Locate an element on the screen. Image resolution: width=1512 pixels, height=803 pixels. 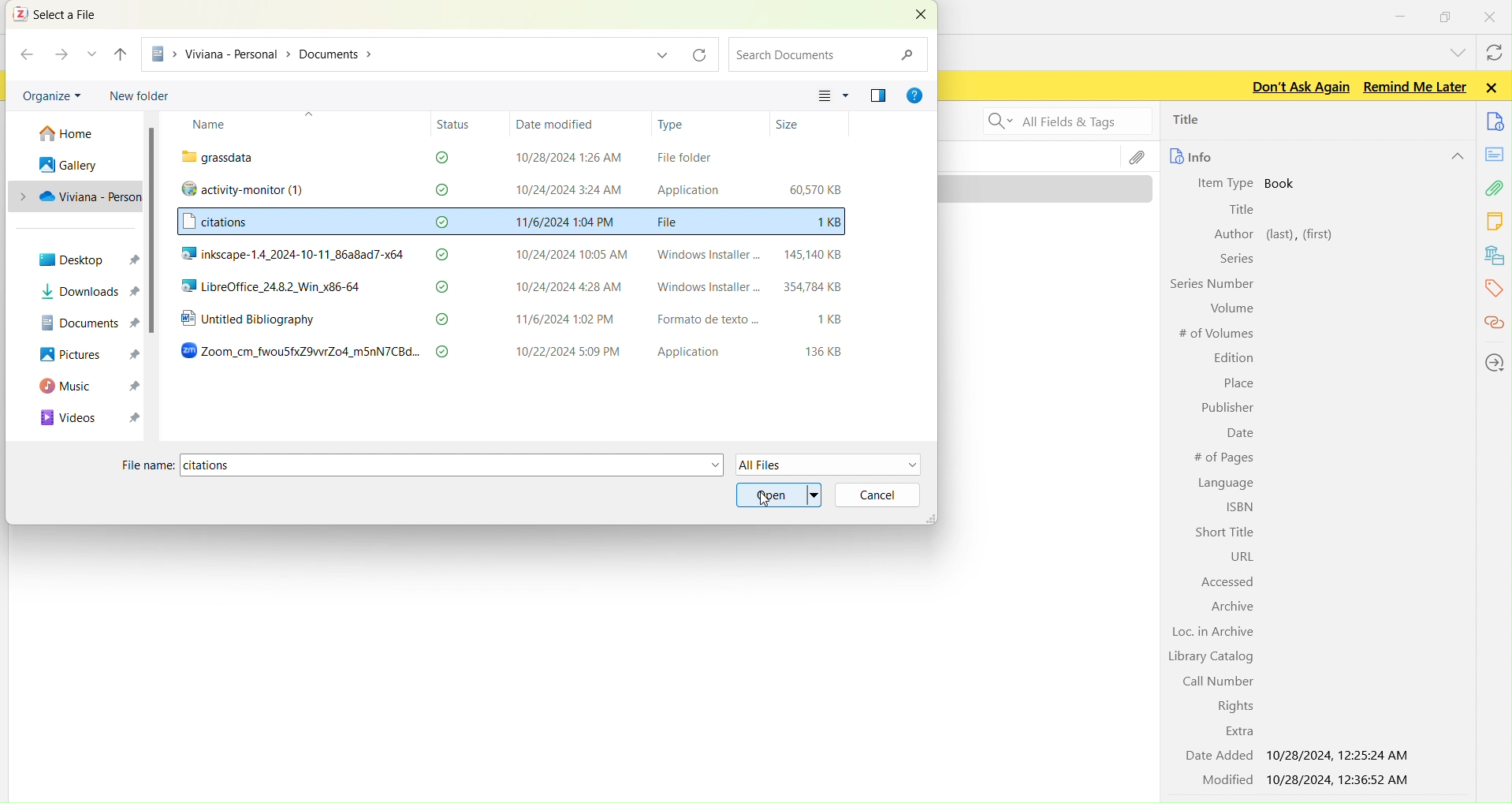
Date modified is located at coordinates (557, 125).